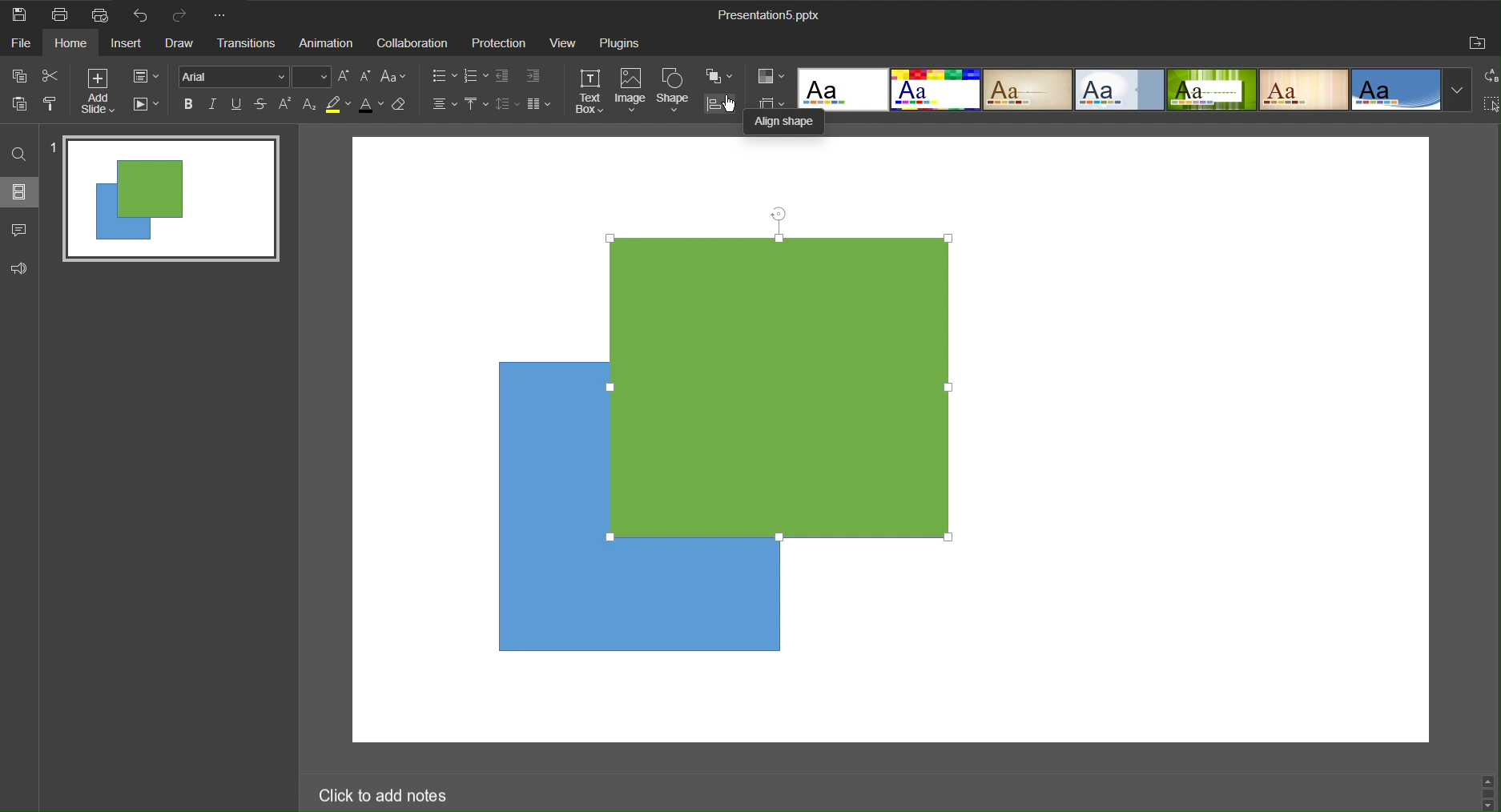  I want to click on Draw, so click(185, 44).